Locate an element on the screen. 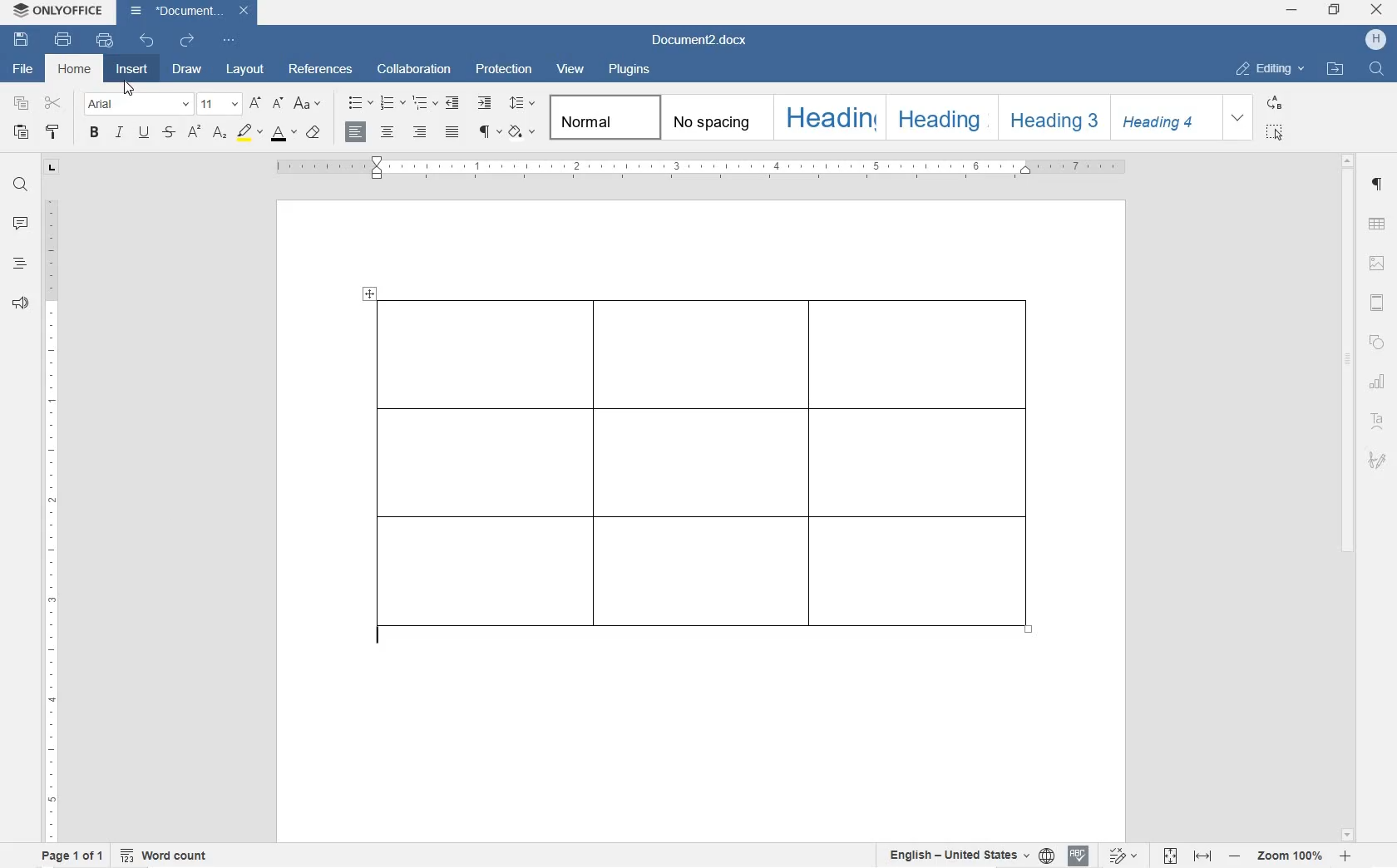 The height and width of the screenshot is (868, 1397). print is located at coordinates (64, 39).